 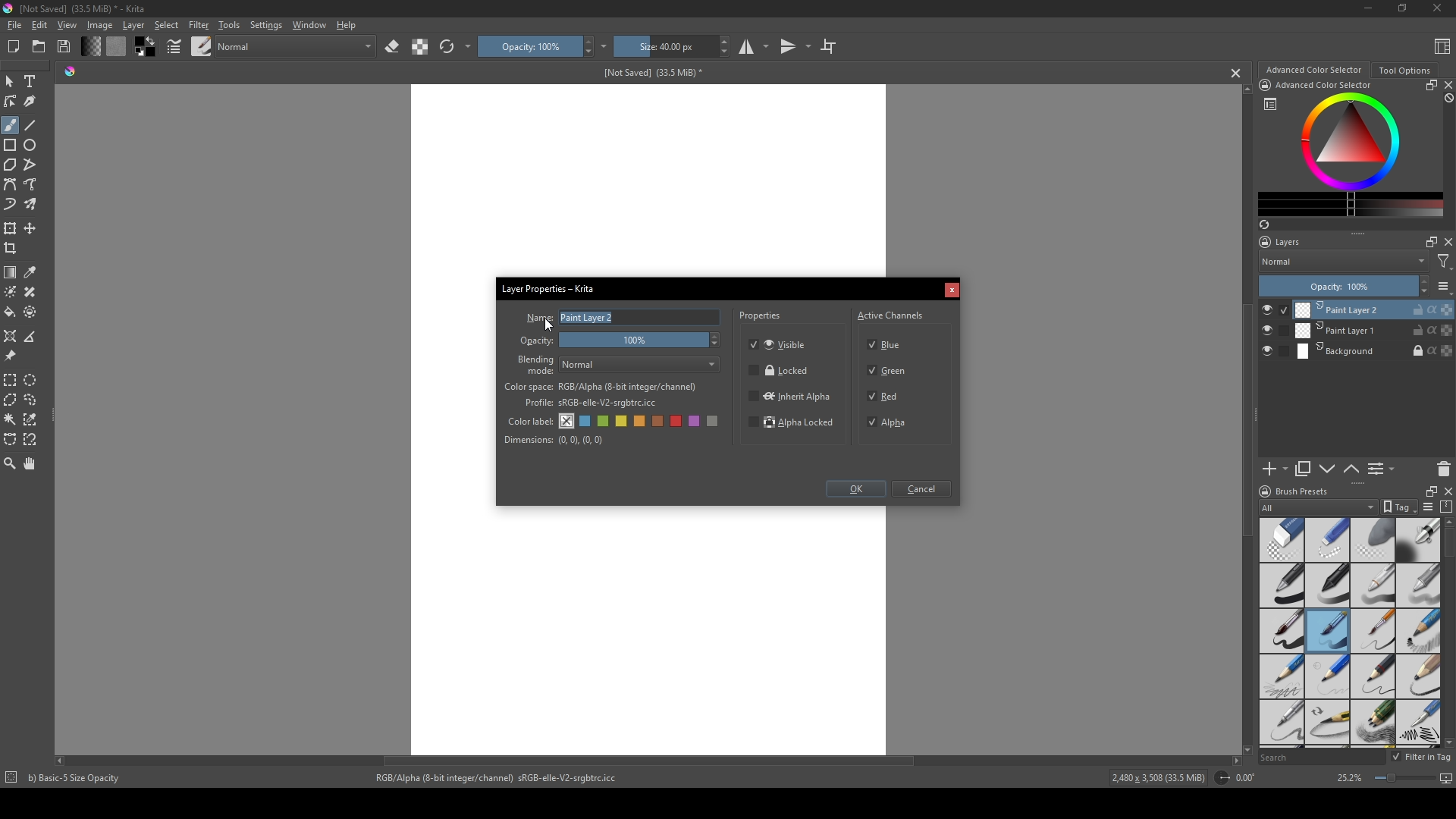 I want to click on bezier curve, so click(x=11, y=440).